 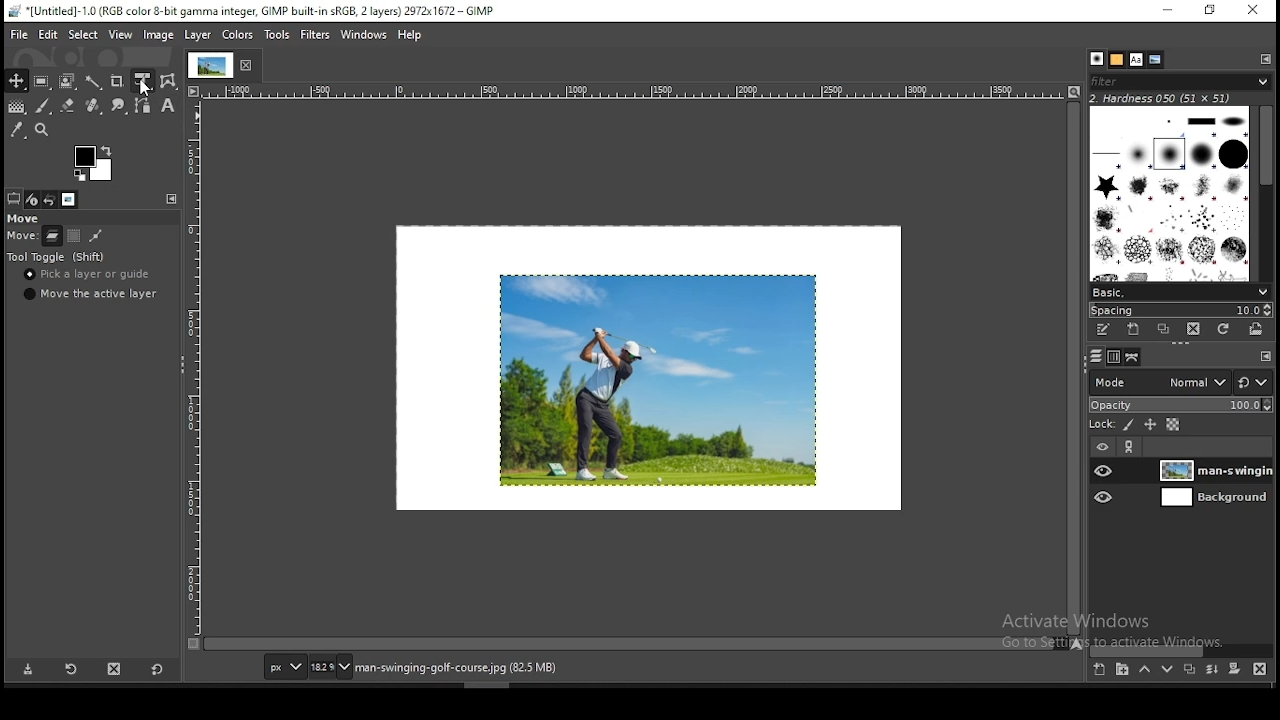 I want to click on pick a layer or guide, so click(x=87, y=277).